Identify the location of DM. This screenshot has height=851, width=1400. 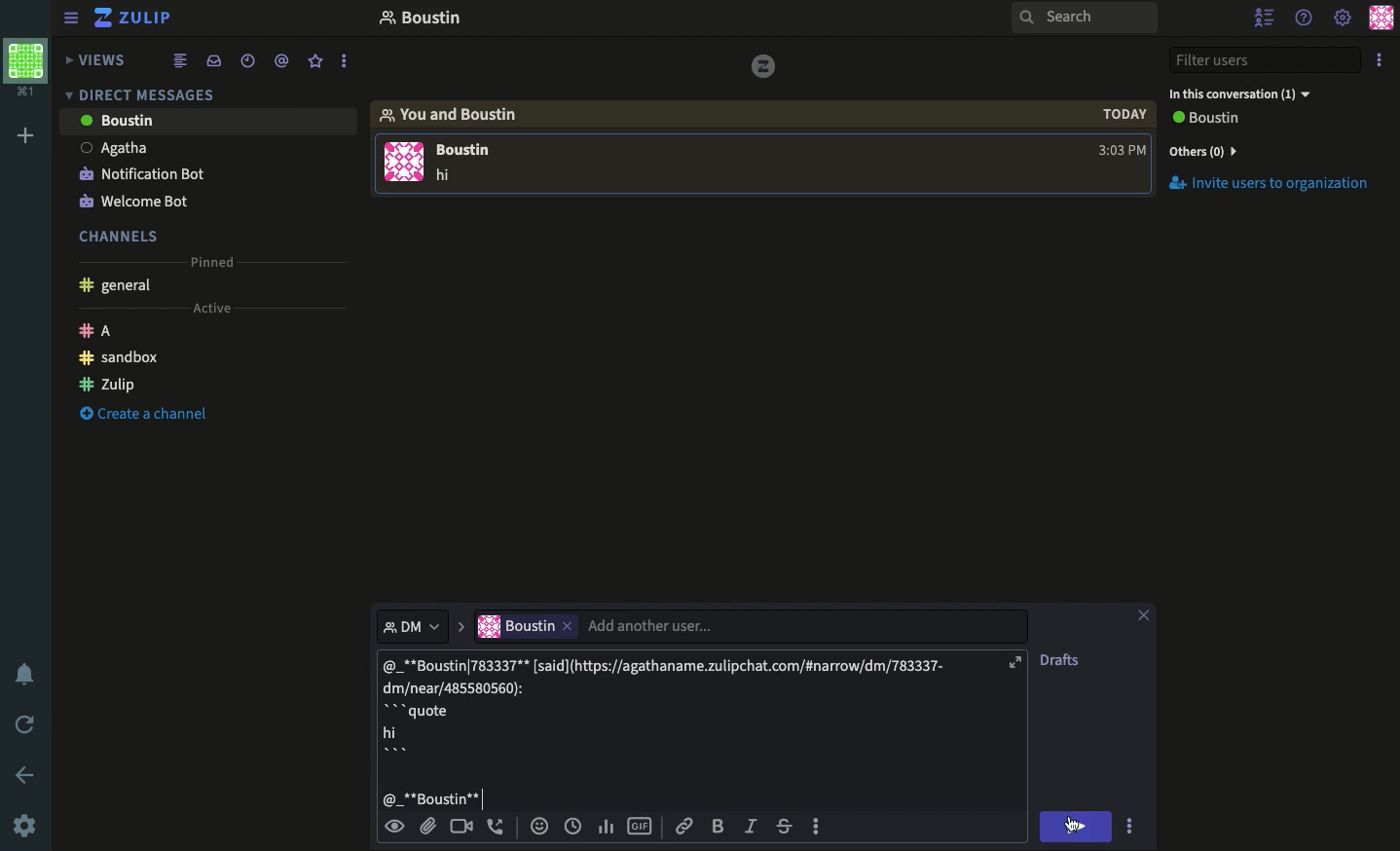
(145, 93).